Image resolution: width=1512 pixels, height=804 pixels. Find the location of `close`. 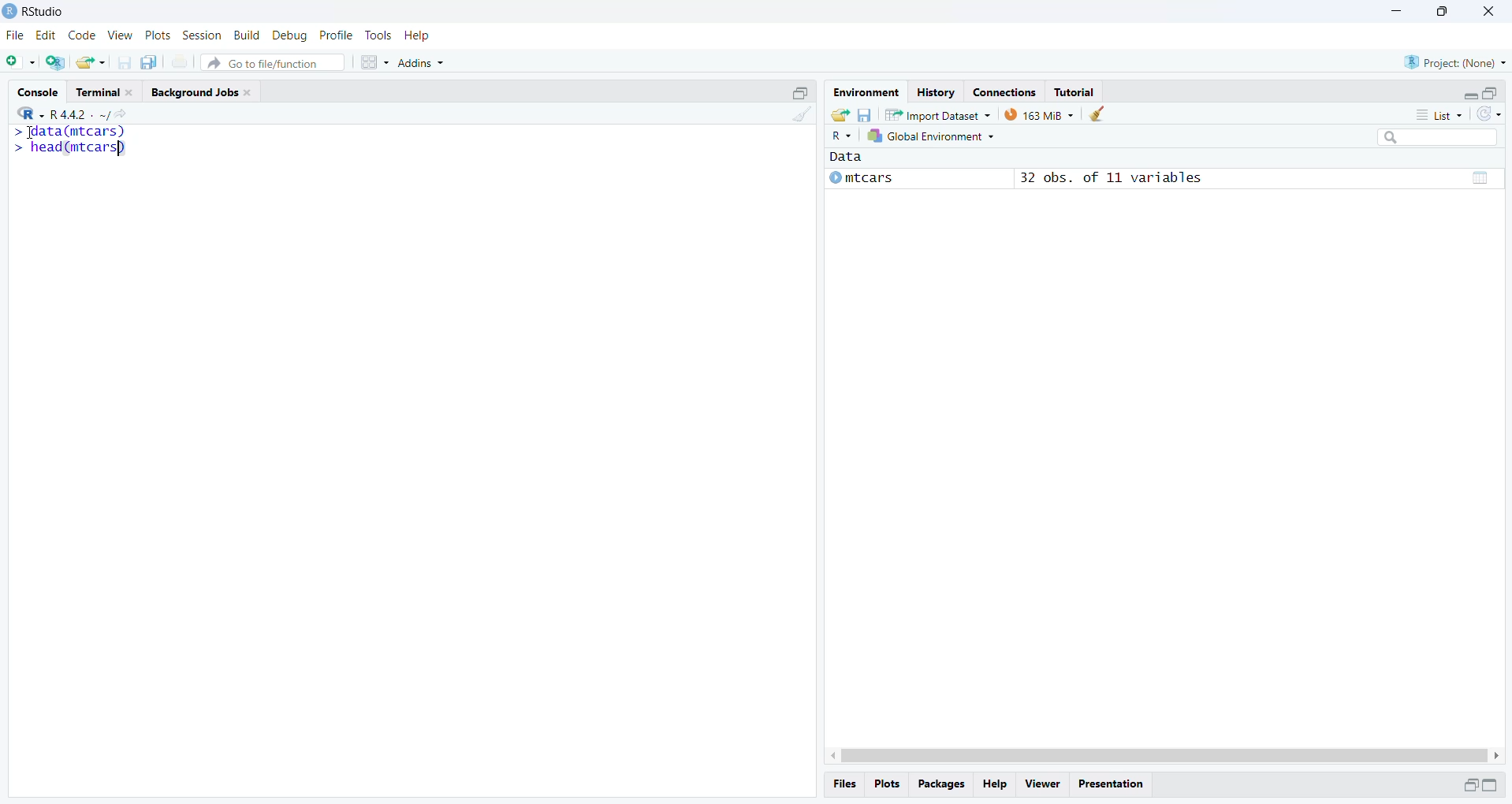

close is located at coordinates (131, 92).